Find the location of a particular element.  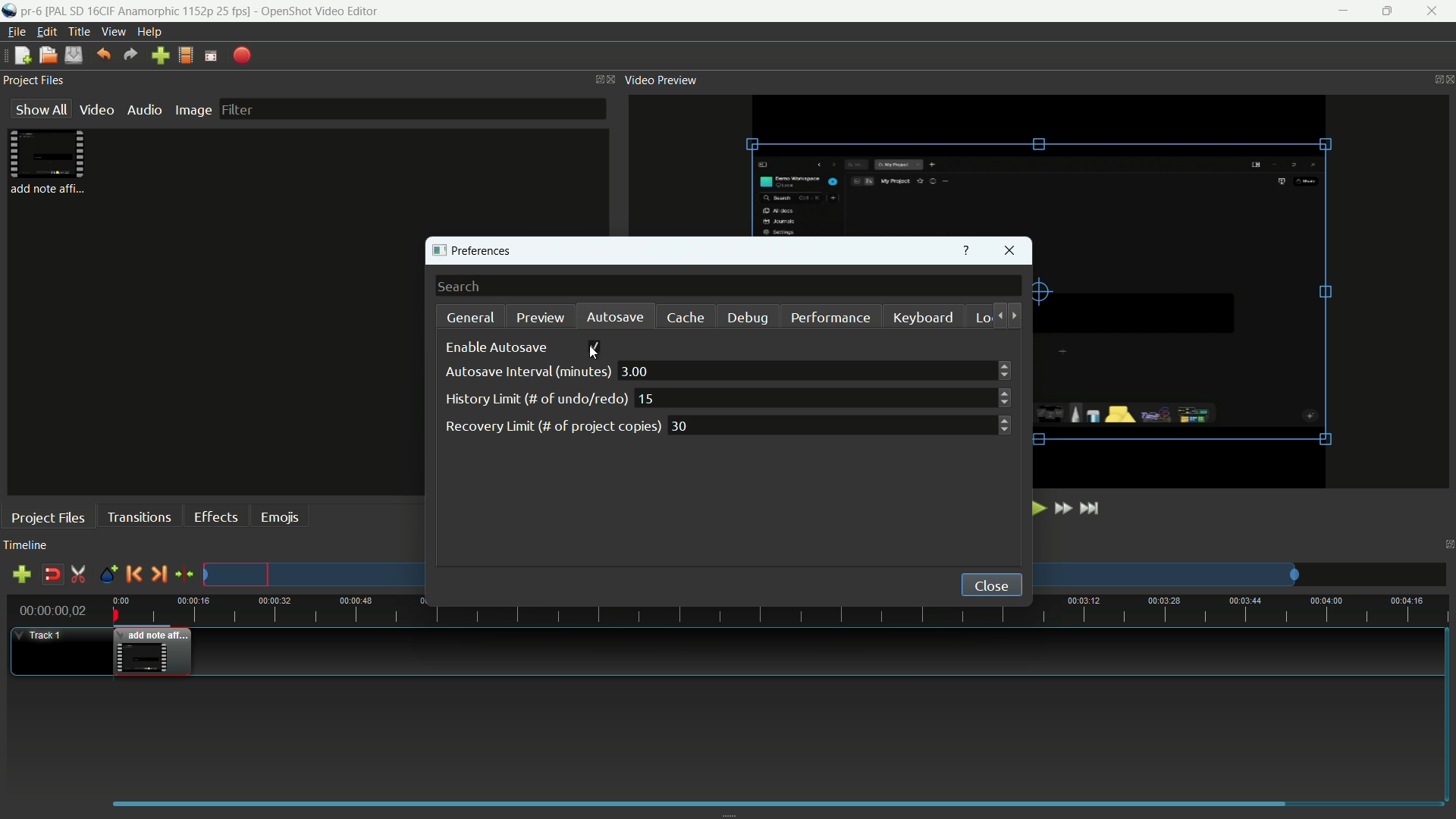

export is located at coordinates (243, 57).